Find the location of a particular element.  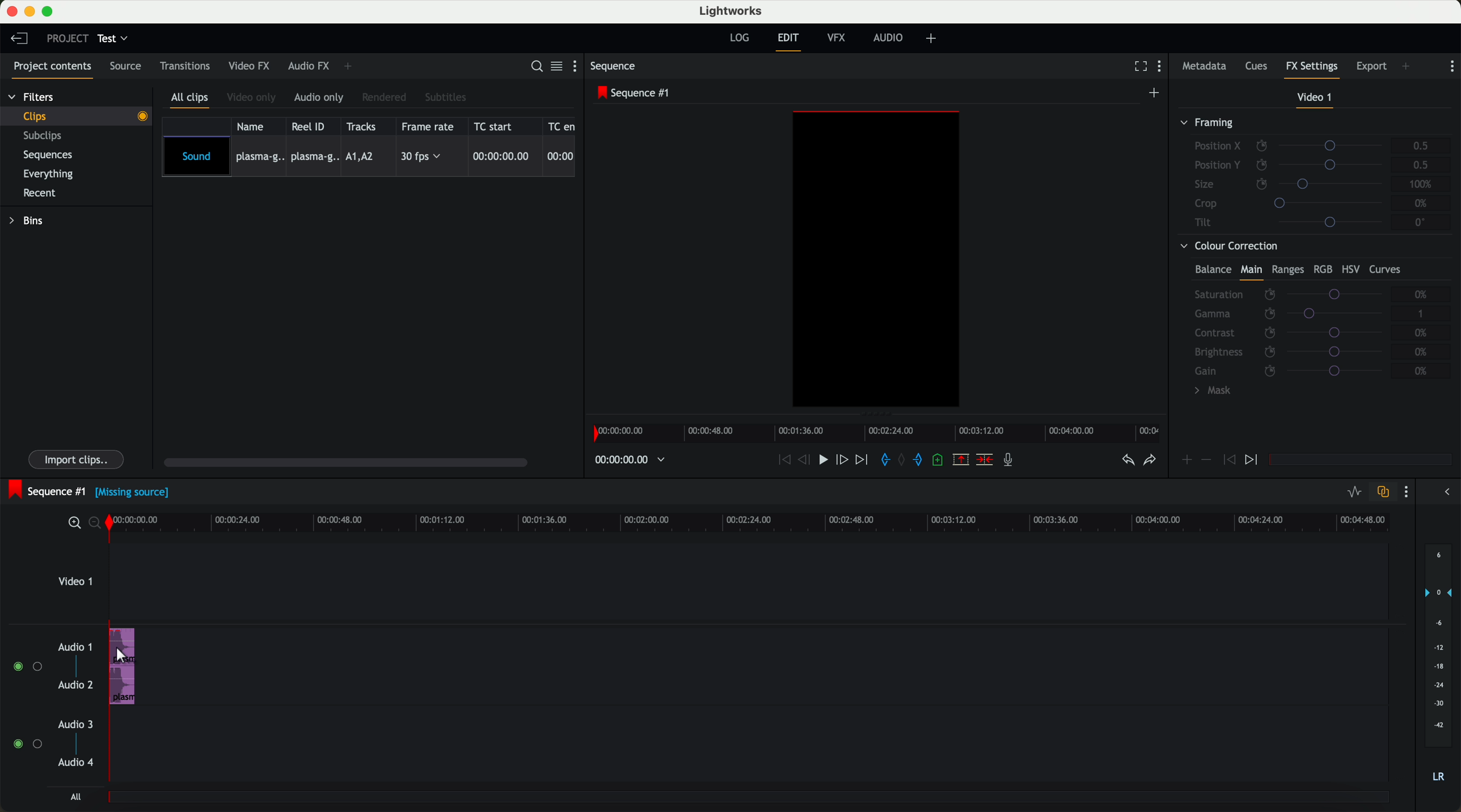

move backward is located at coordinates (782, 460).